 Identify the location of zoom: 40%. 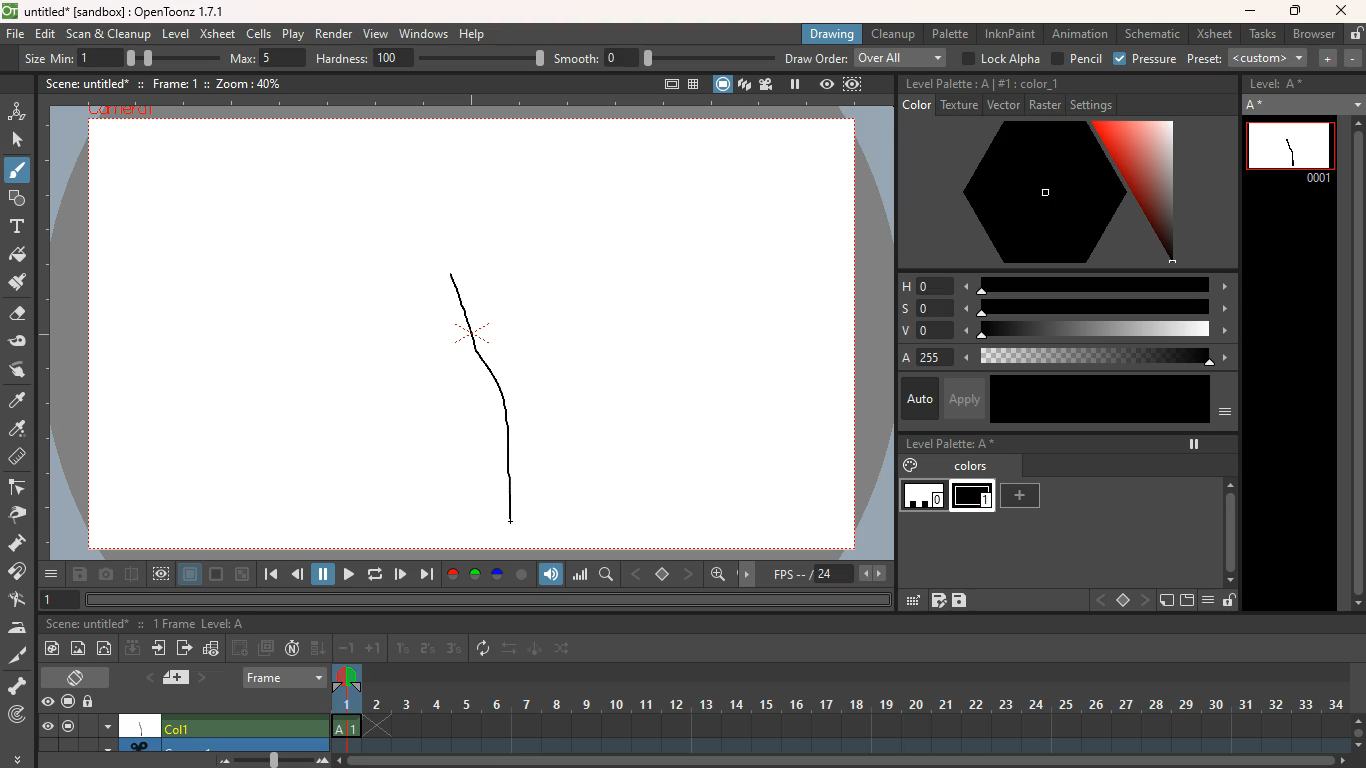
(242, 82).